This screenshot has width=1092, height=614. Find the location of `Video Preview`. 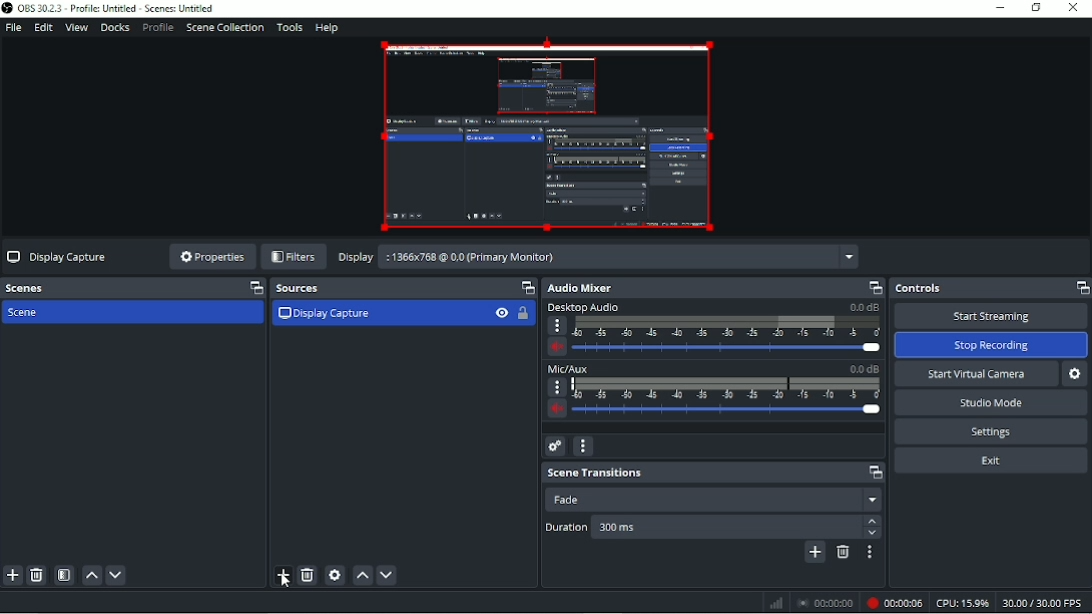

Video Preview is located at coordinates (547, 136).